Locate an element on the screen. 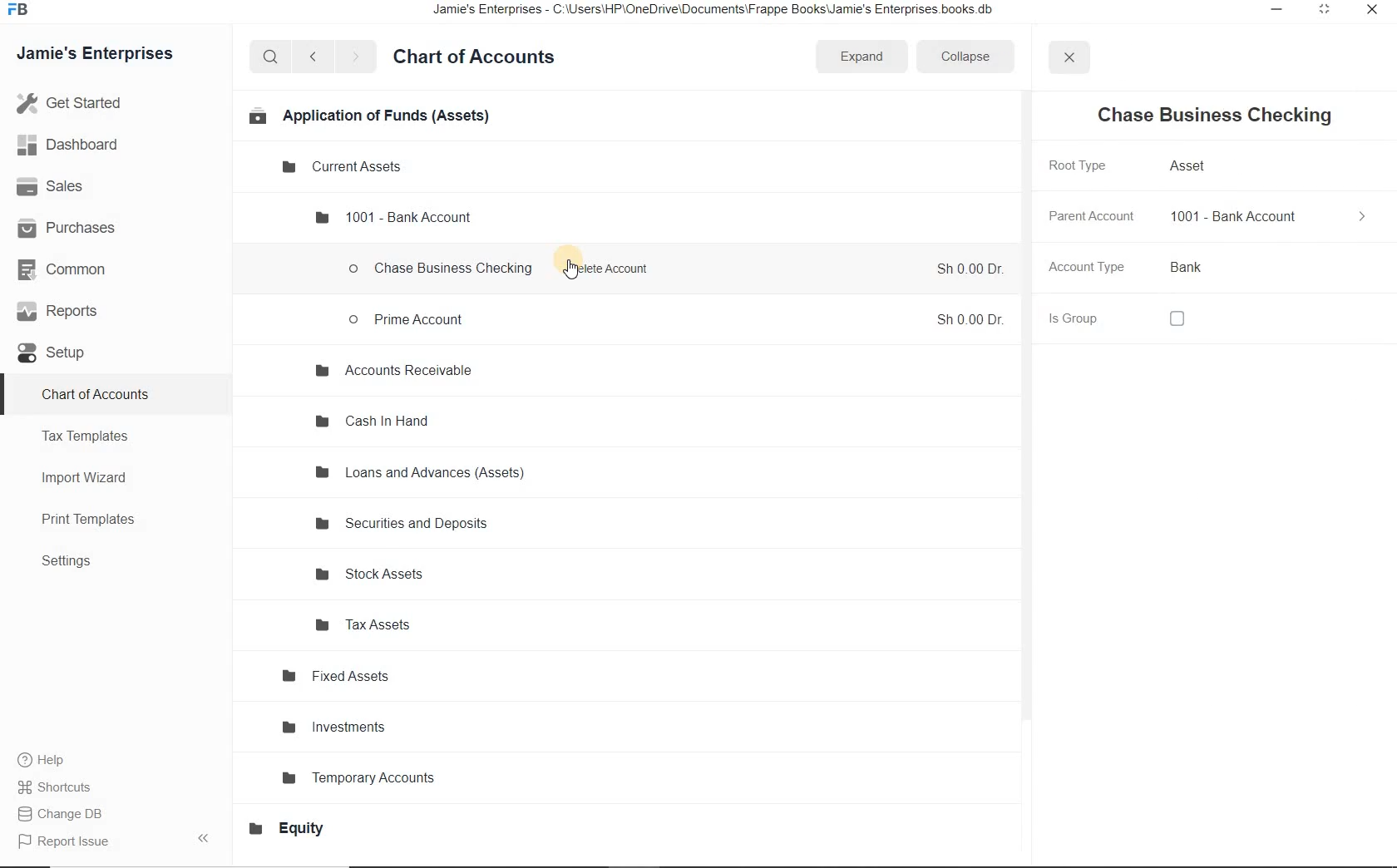  Shortcuts is located at coordinates (57, 787).